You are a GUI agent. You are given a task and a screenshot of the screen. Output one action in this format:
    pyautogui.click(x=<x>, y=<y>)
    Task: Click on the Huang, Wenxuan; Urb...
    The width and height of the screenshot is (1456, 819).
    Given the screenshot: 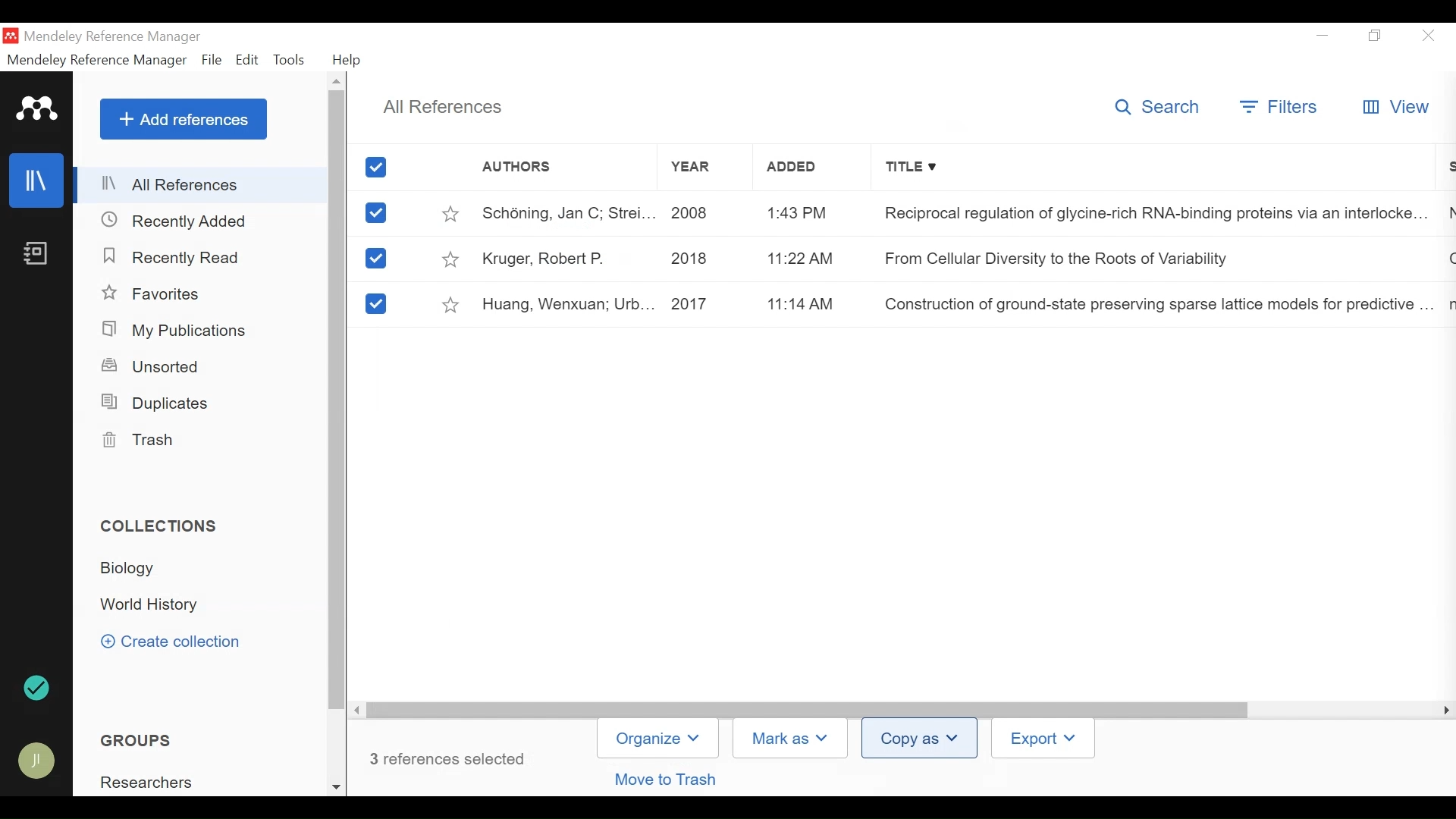 What is the action you would take?
    pyautogui.click(x=567, y=303)
    